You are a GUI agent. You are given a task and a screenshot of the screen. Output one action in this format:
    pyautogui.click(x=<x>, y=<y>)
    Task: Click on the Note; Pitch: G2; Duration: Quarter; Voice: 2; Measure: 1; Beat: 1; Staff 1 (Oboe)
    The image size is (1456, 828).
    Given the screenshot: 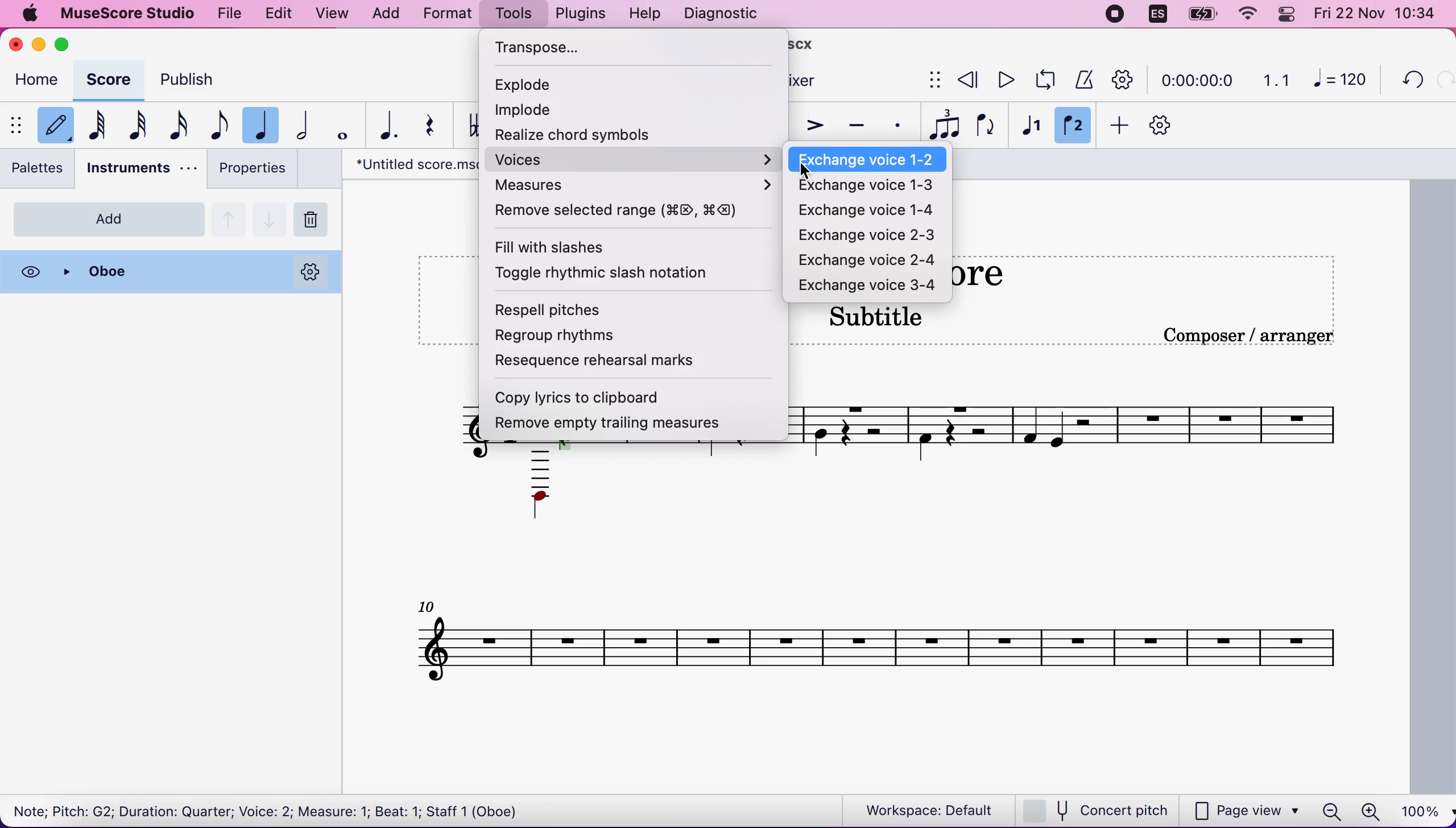 What is the action you would take?
    pyautogui.click(x=275, y=810)
    